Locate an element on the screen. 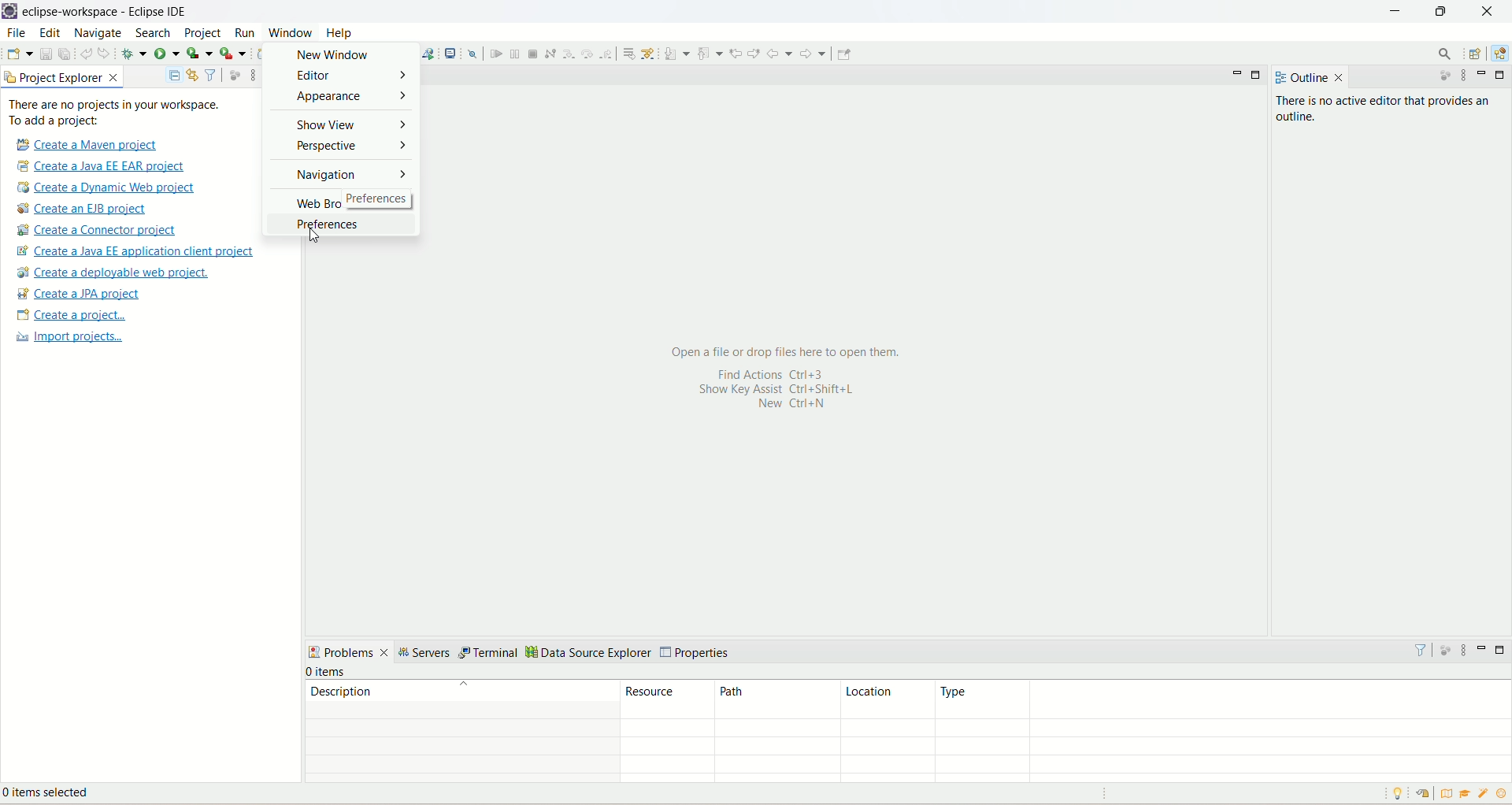 The width and height of the screenshot is (1512, 805). disconnect is located at coordinates (550, 53).